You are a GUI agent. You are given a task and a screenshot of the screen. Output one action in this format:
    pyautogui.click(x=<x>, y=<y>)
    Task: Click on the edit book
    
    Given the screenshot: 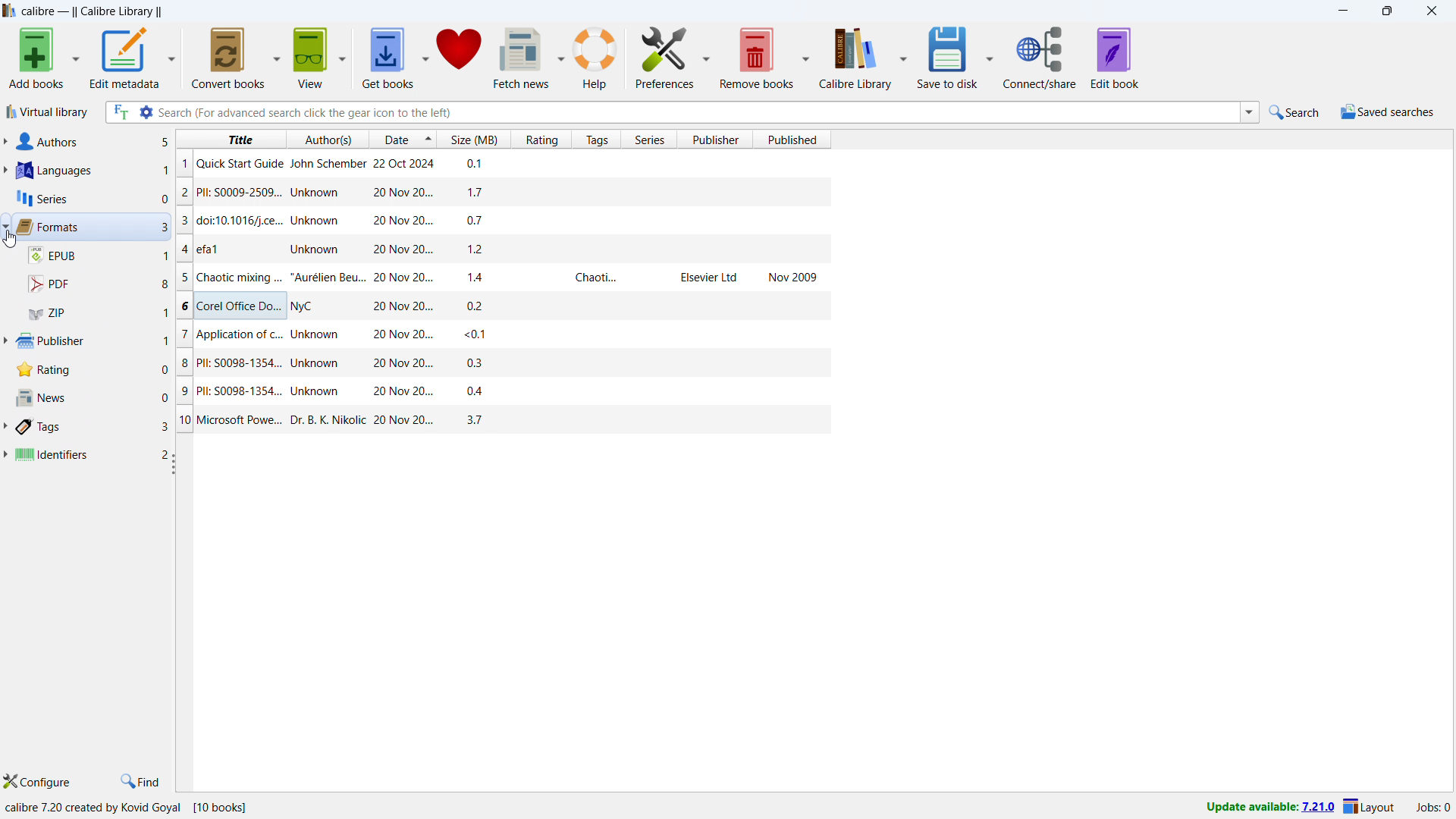 What is the action you would take?
    pyautogui.click(x=1115, y=58)
    